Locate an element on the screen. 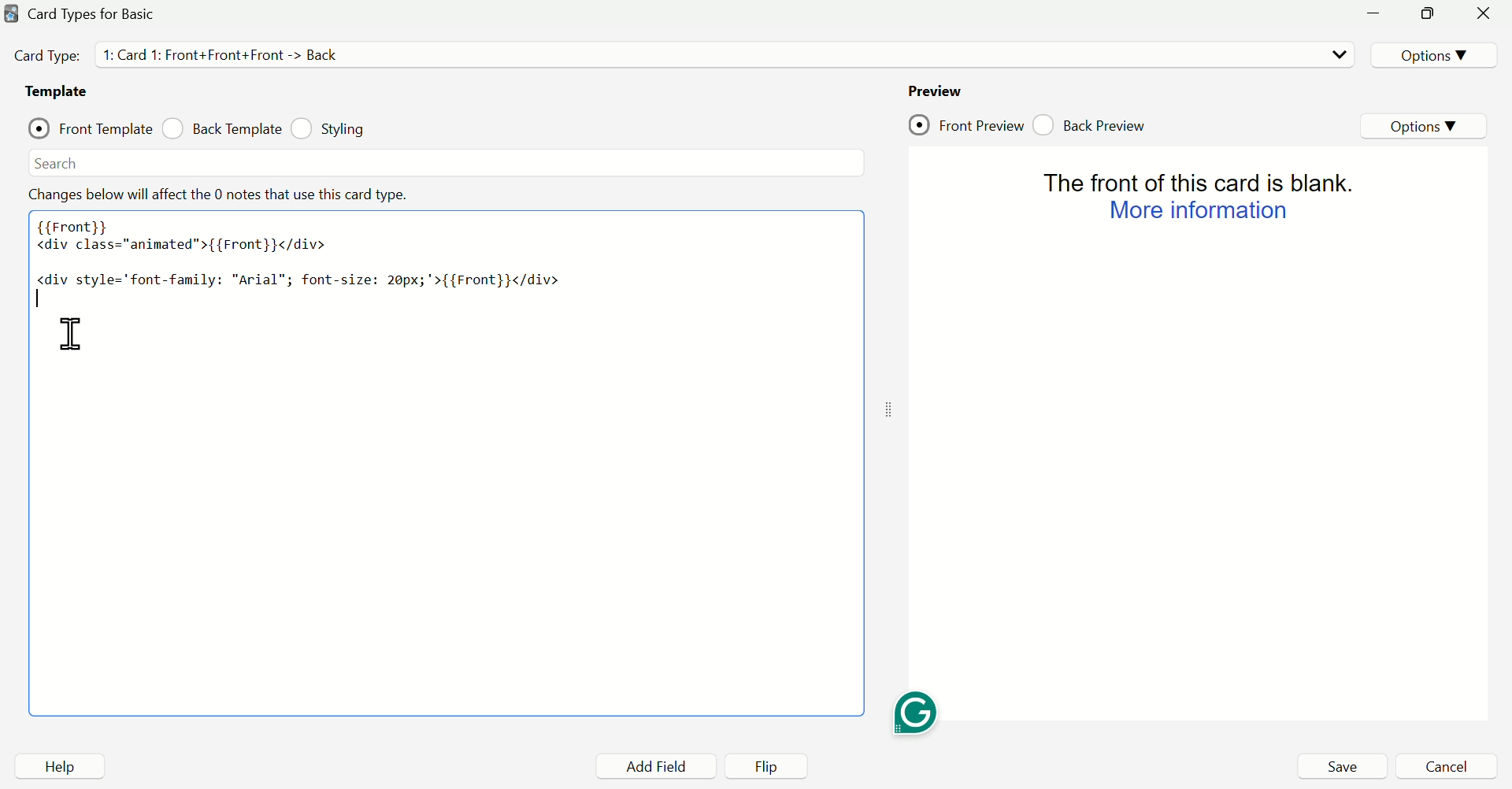  More Information is located at coordinates (1198, 212).